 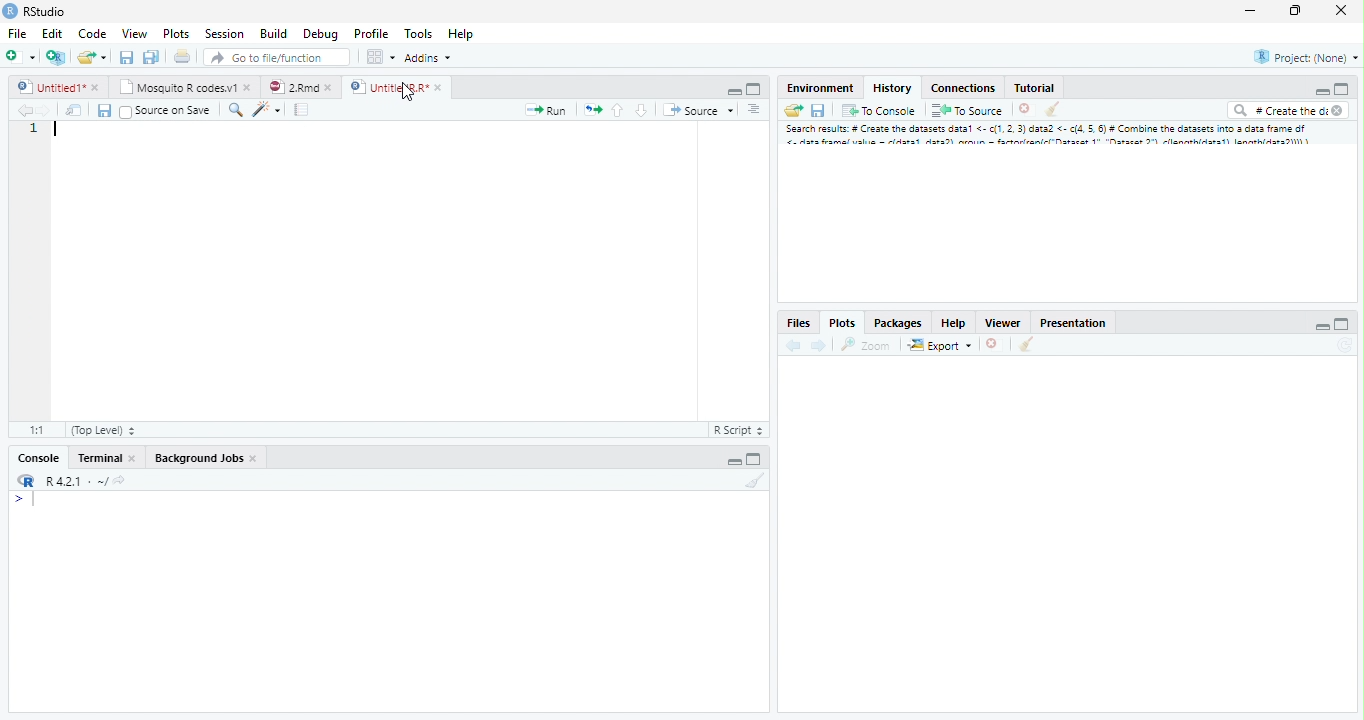 What do you see at coordinates (420, 35) in the screenshot?
I see `Tools` at bounding box center [420, 35].